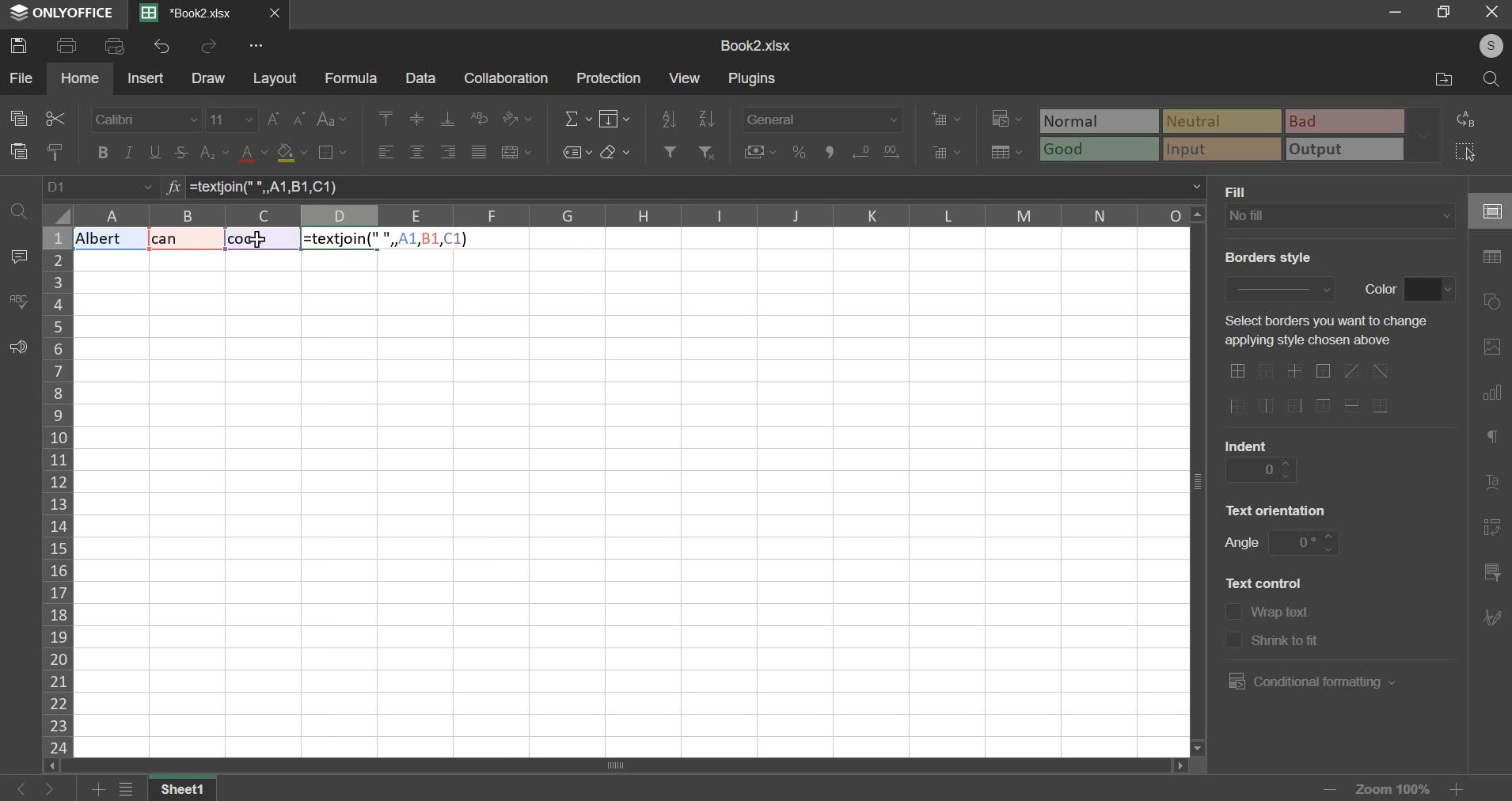  What do you see at coordinates (135, 790) in the screenshot?
I see `view all sheets` at bounding box center [135, 790].